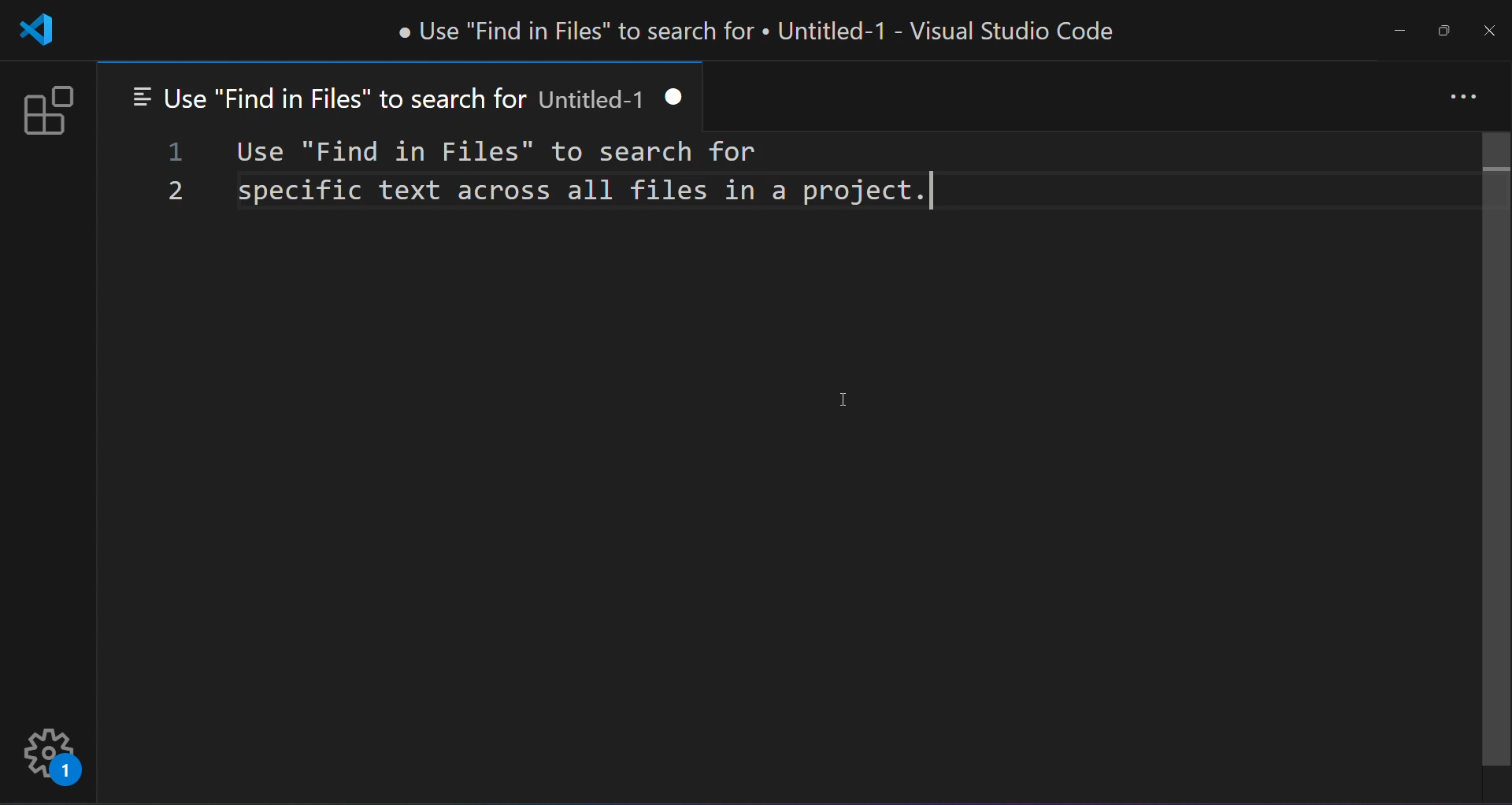 Image resolution: width=1512 pixels, height=805 pixels. Describe the element at coordinates (760, 28) in the screenshot. I see `Use "Find in Files" to search for « Untitled-1 - Visual Studio Code` at that location.